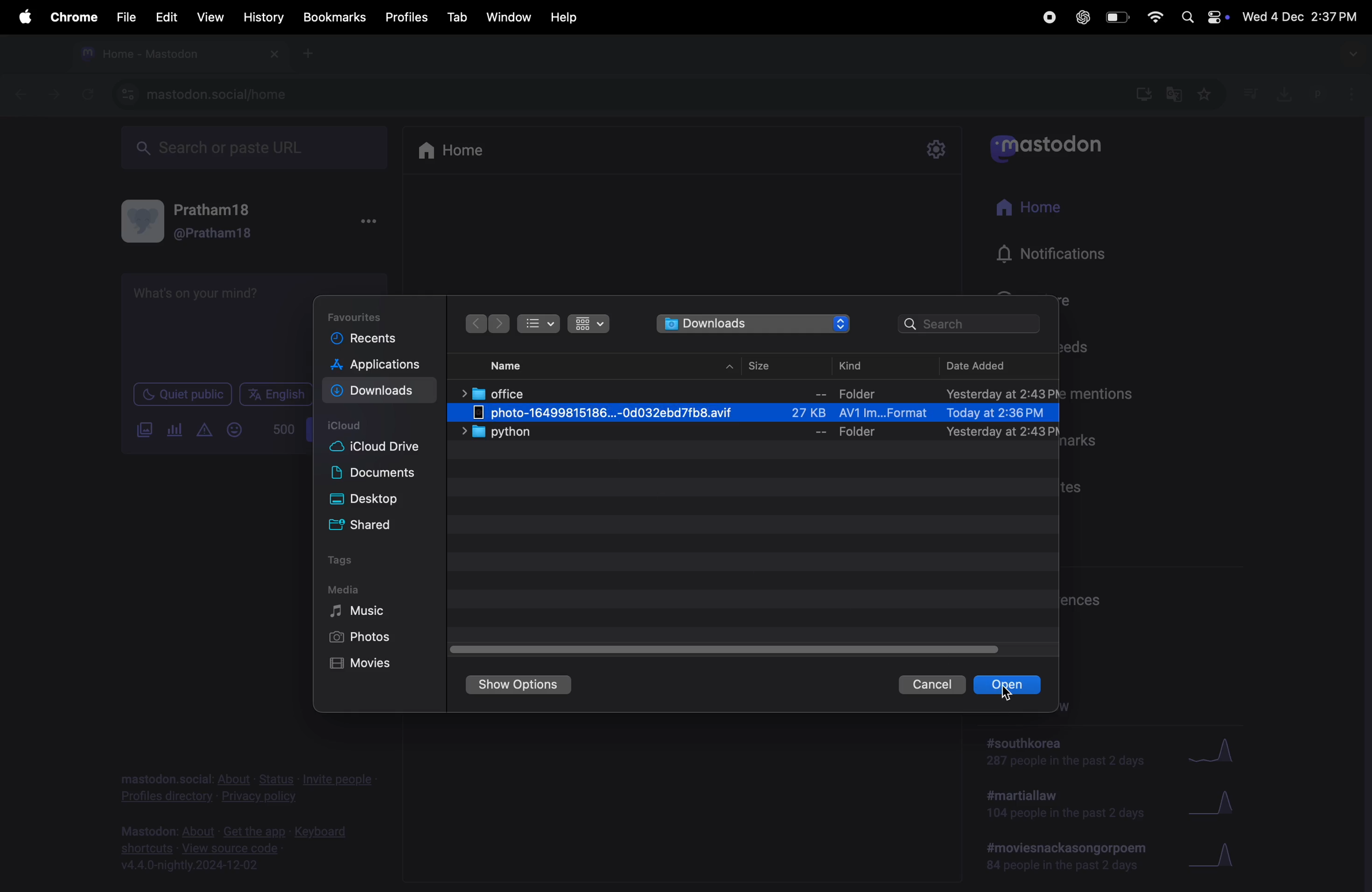 The height and width of the screenshot is (892, 1372). What do you see at coordinates (374, 449) in the screenshot?
I see `i colud drive` at bounding box center [374, 449].